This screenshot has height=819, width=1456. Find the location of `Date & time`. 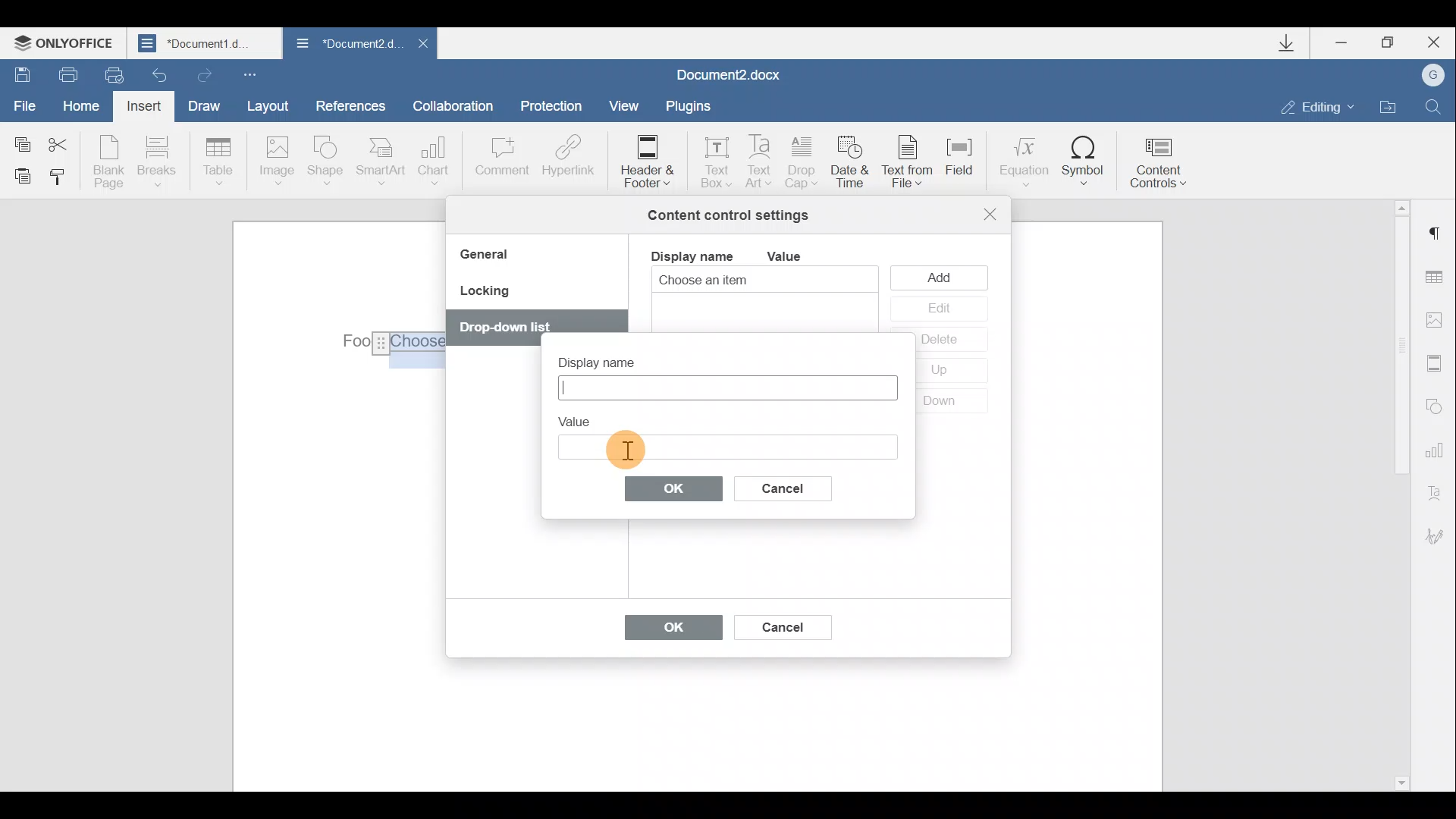

Date & time is located at coordinates (852, 165).